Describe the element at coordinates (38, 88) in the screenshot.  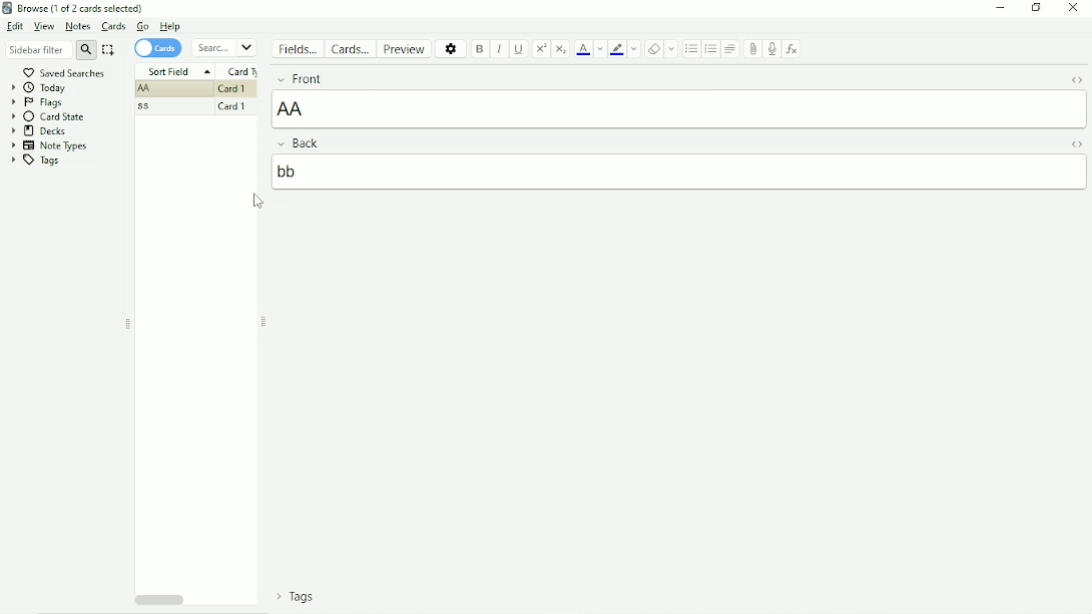
I see `Today` at that location.